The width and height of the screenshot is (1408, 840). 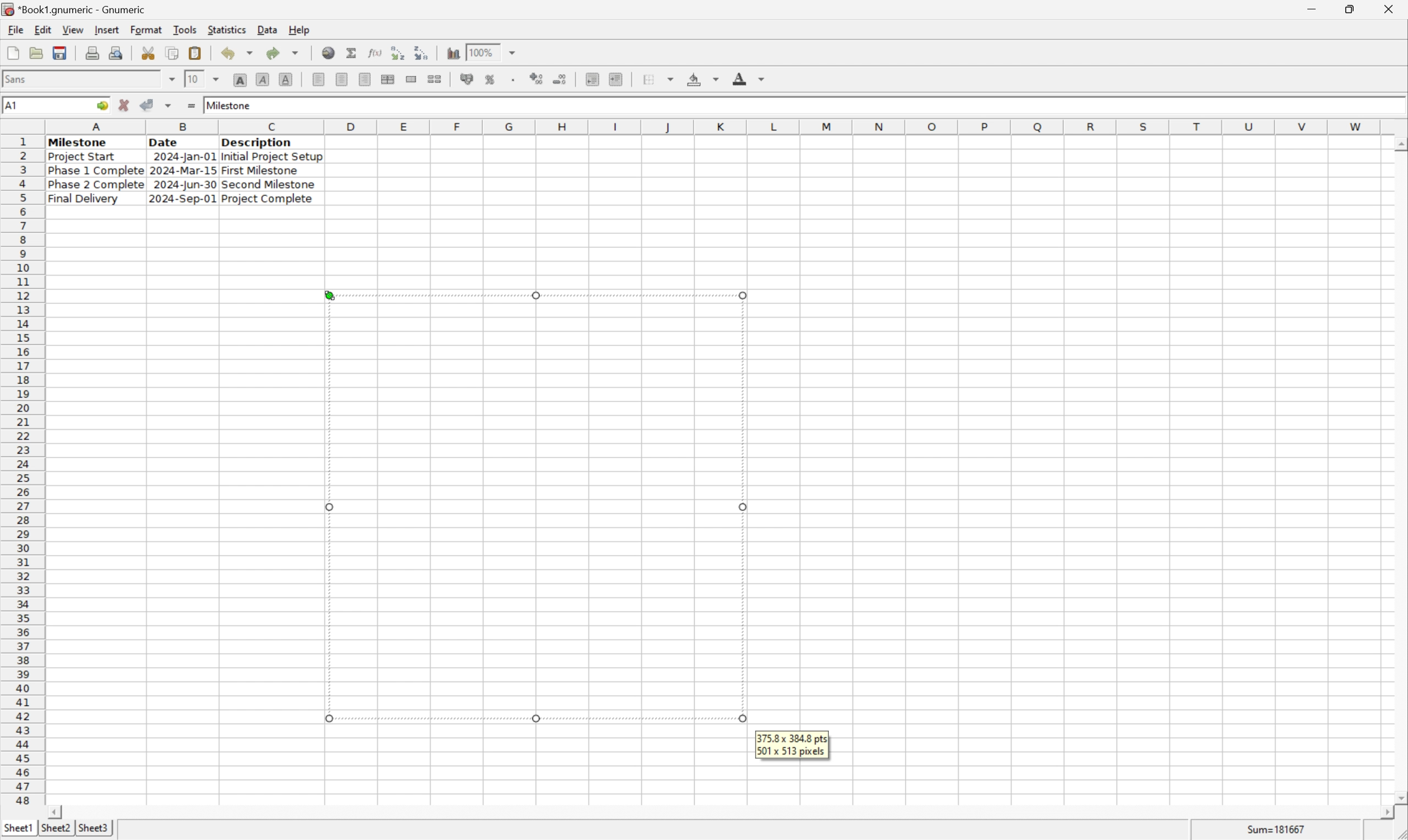 What do you see at coordinates (792, 744) in the screenshot?
I see `dimensions` at bounding box center [792, 744].